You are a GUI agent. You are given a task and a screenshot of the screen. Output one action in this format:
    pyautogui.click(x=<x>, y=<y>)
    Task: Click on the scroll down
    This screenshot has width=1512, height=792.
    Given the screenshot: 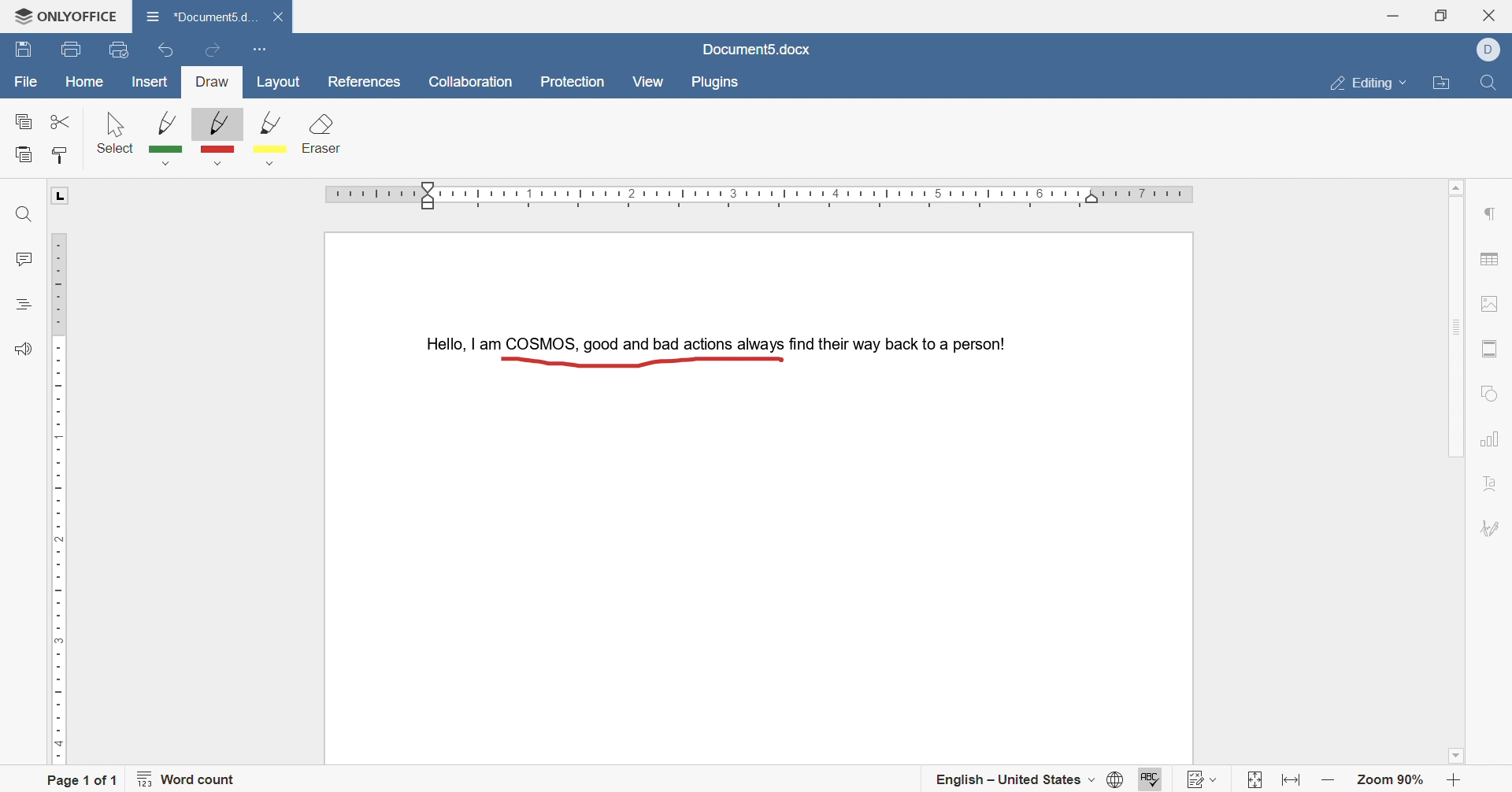 What is the action you would take?
    pyautogui.click(x=1461, y=758)
    